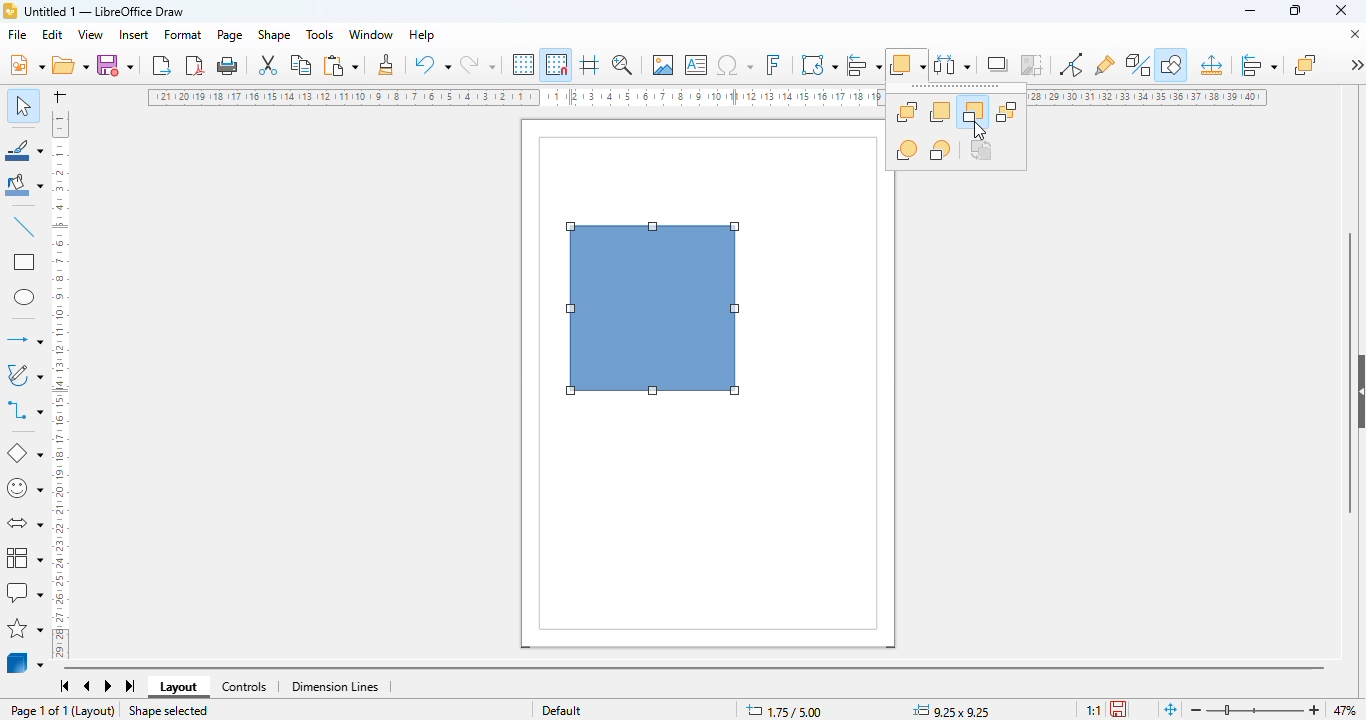  Describe the element at coordinates (773, 64) in the screenshot. I see `insert fontwork text` at that location.